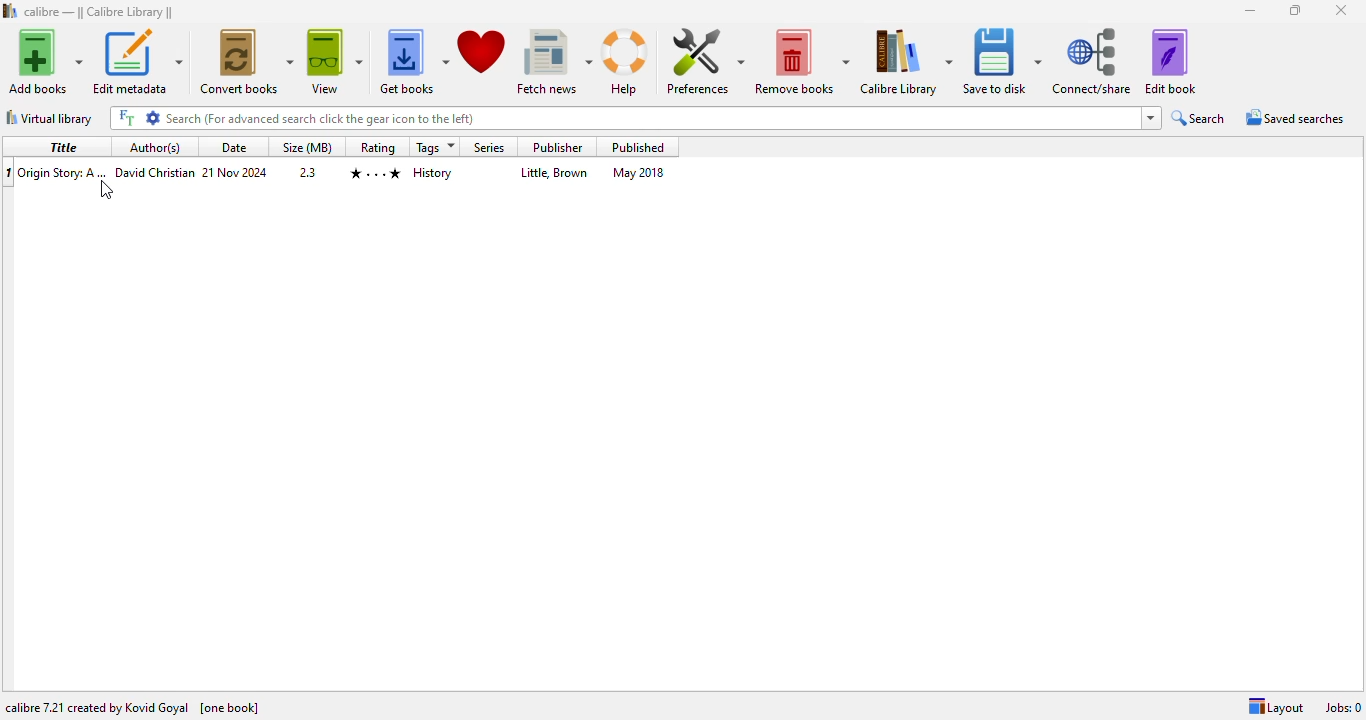 Image resolution: width=1366 pixels, height=720 pixels. Describe the element at coordinates (637, 172) in the screenshot. I see `may 2018` at that location.